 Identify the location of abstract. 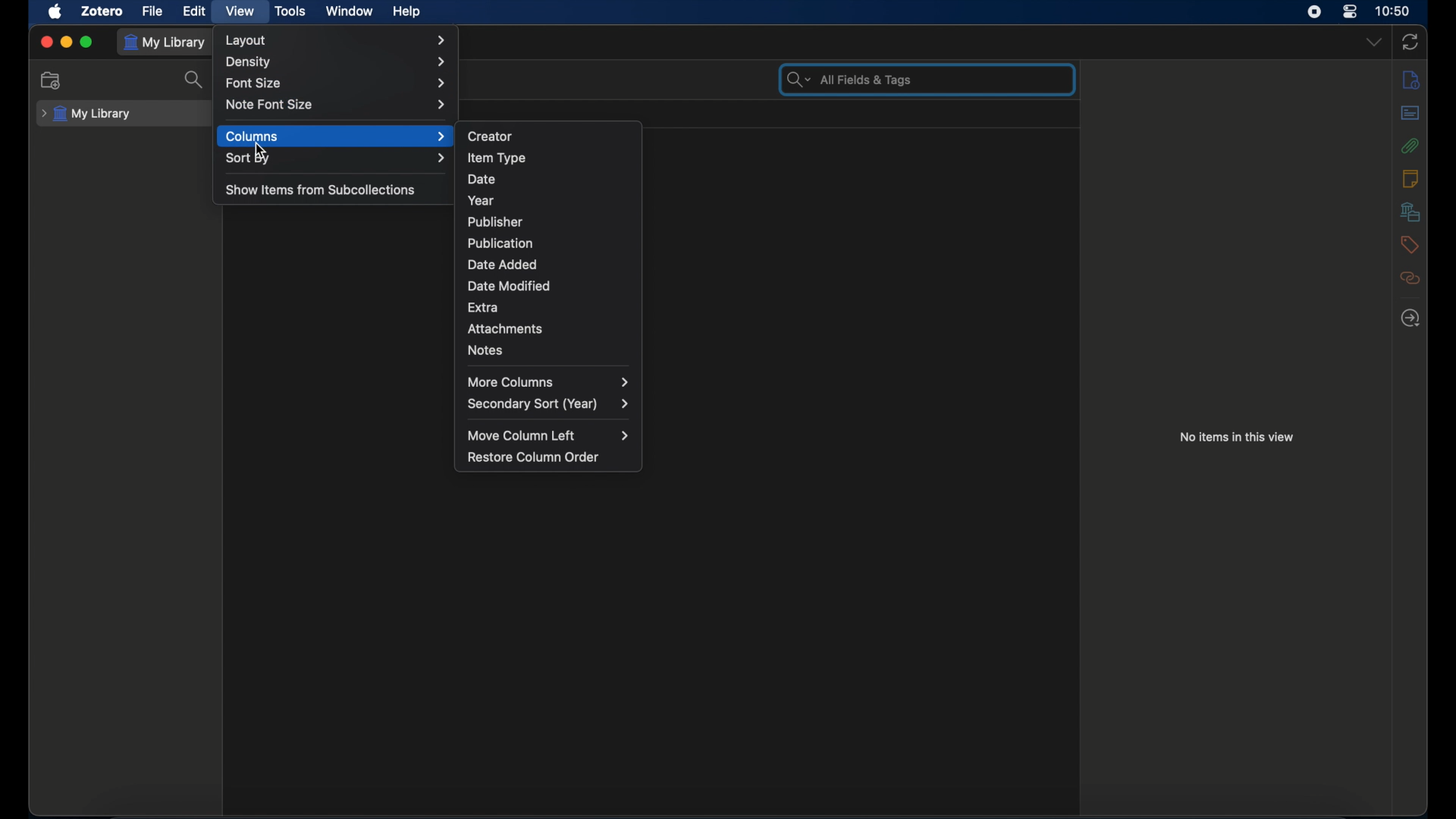
(1411, 112).